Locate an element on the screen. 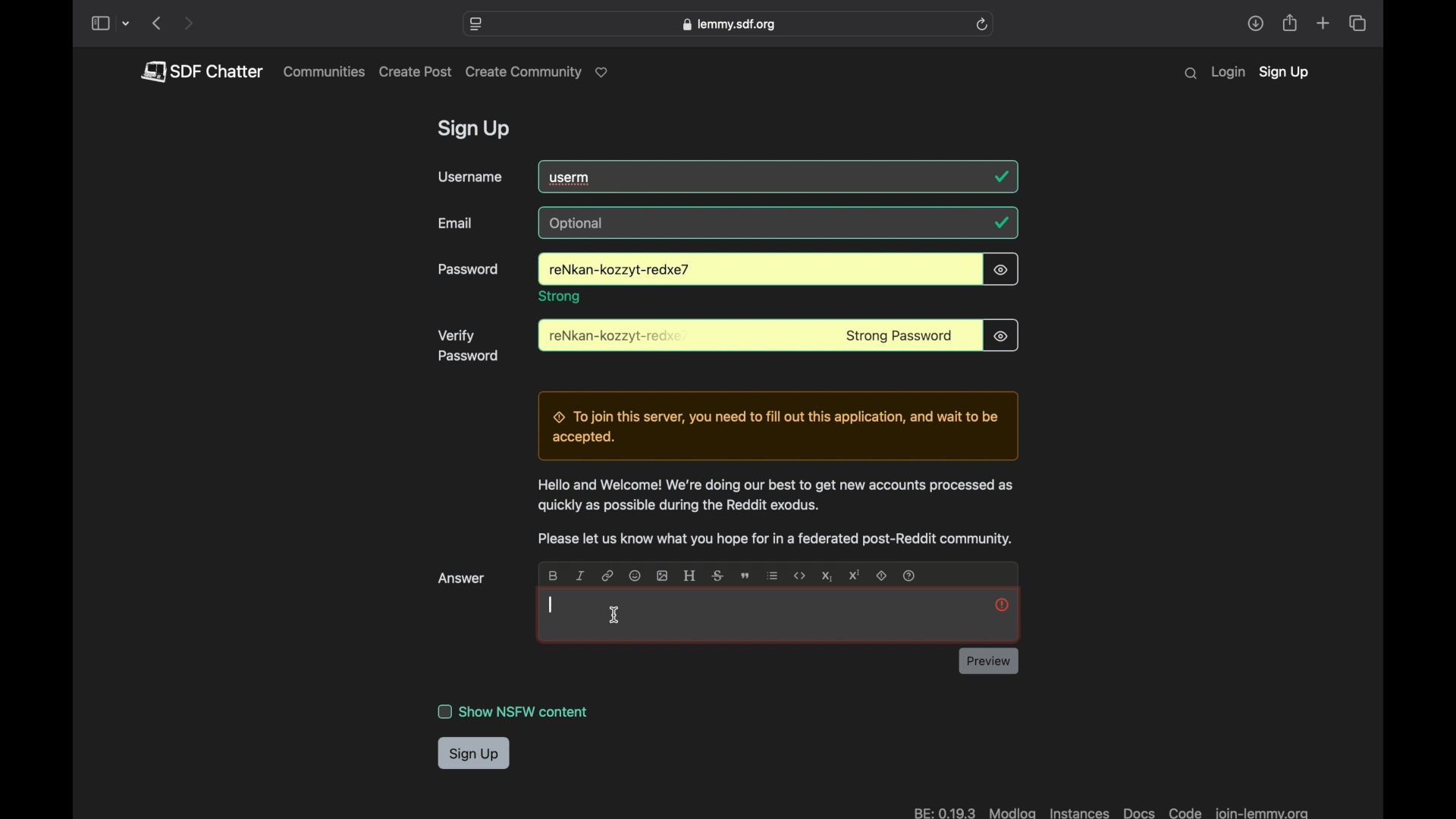 This screenshot has height=819, width=1456. sign up is located at coordinates (476, 130).